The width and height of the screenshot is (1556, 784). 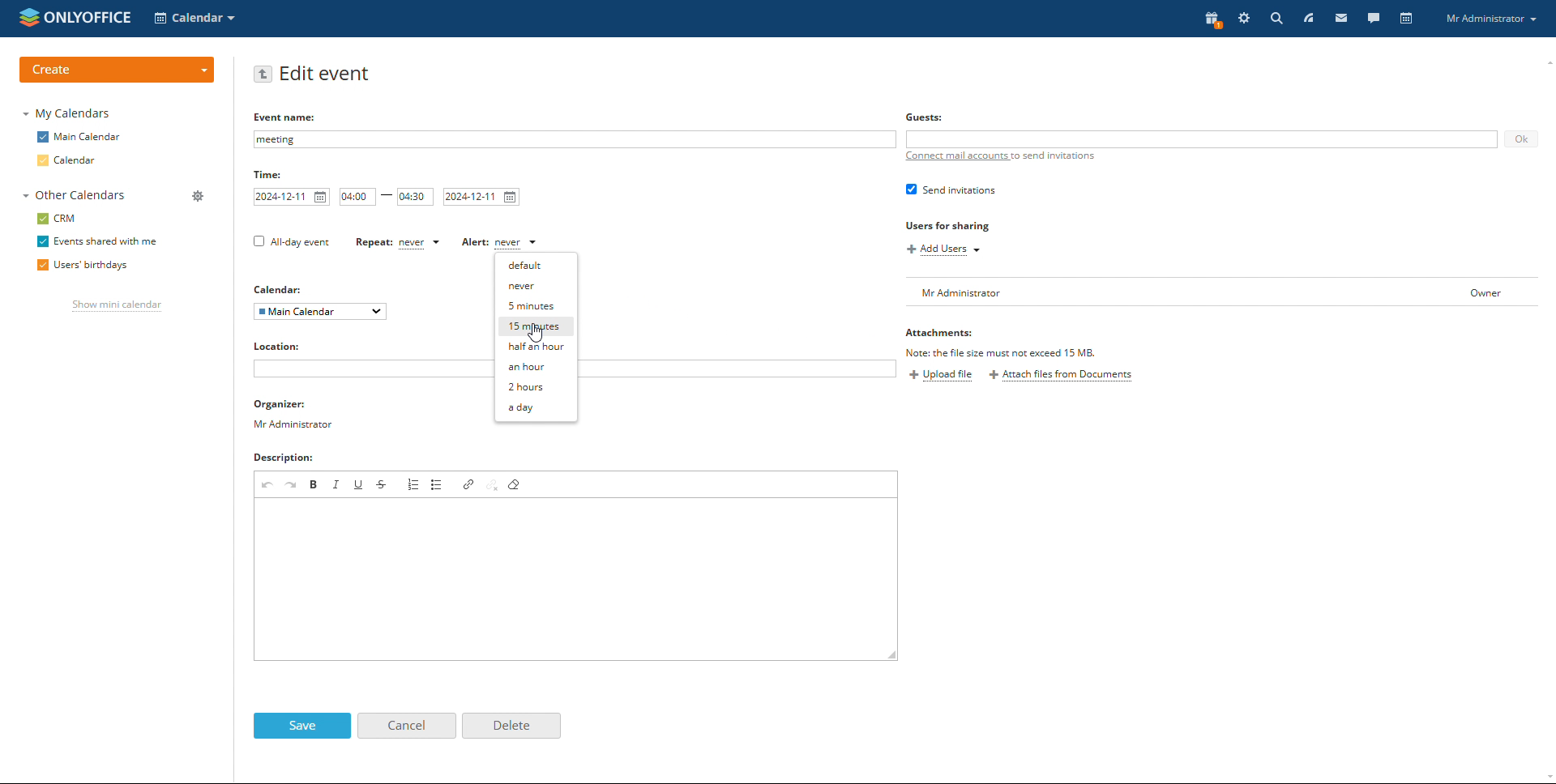 What do you see at coordinates (302, 726) in the screenshot?
I see `save` at bounding box center [302, 726].